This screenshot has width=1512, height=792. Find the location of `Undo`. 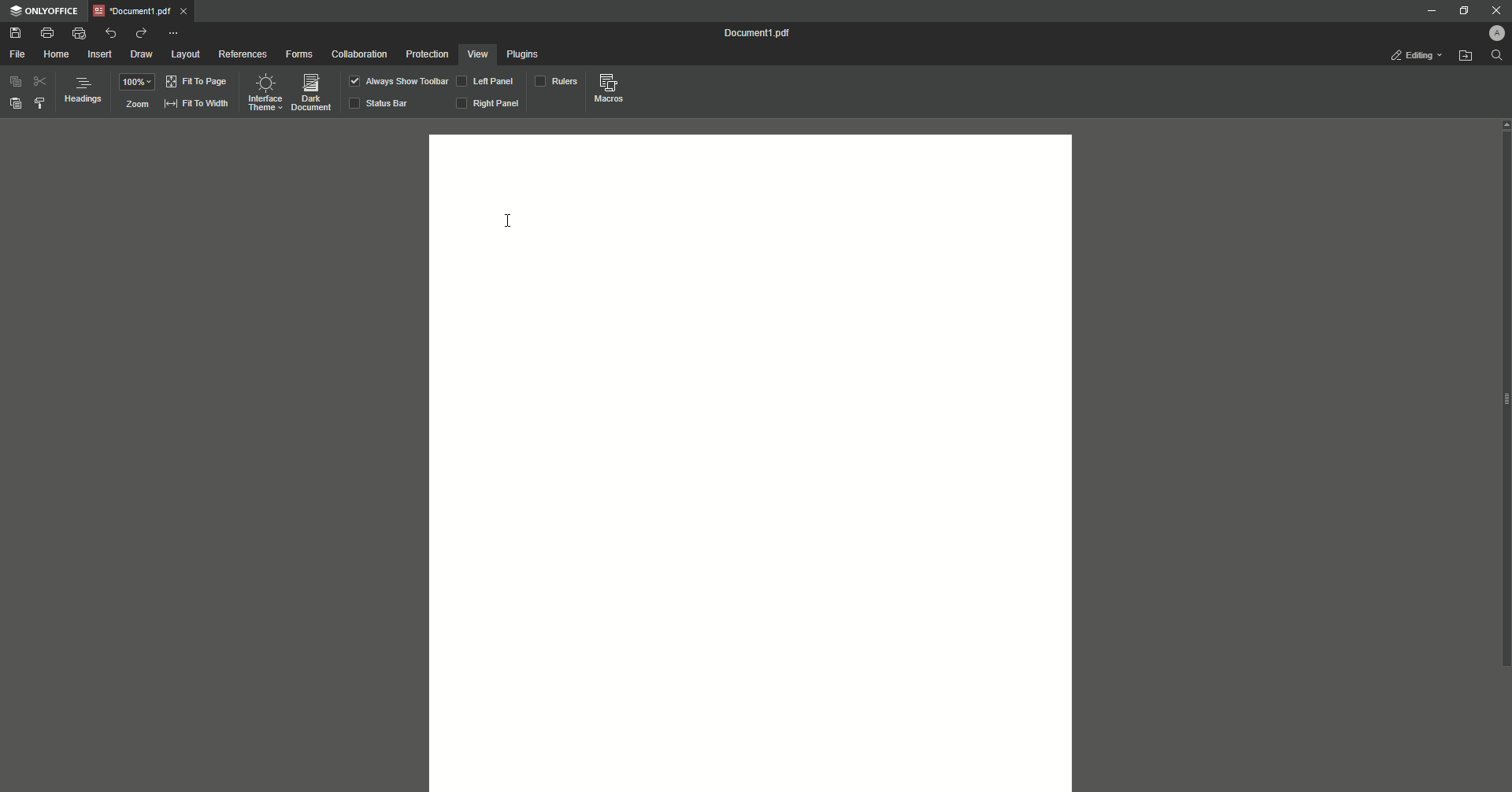

Undo is located at coordinates (109, 33).